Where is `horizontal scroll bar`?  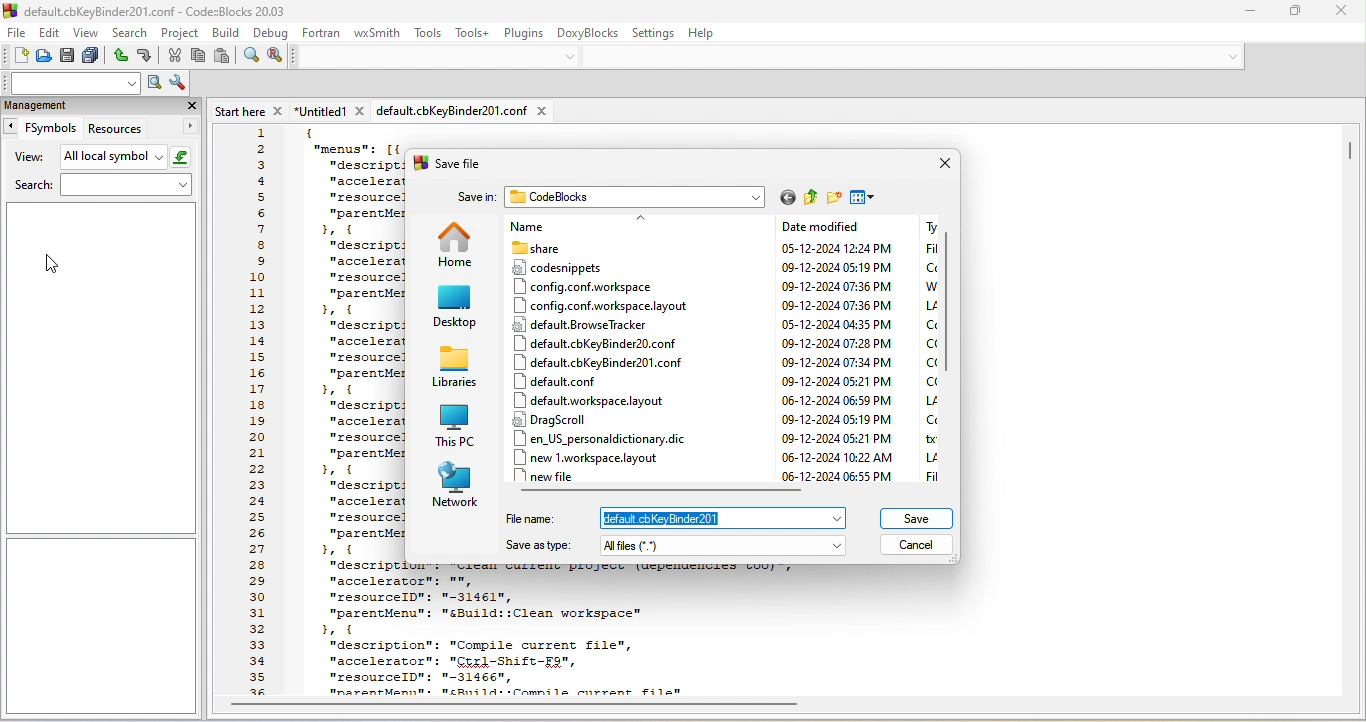
horizontal scroll bar is located at coordinates (514, 705).